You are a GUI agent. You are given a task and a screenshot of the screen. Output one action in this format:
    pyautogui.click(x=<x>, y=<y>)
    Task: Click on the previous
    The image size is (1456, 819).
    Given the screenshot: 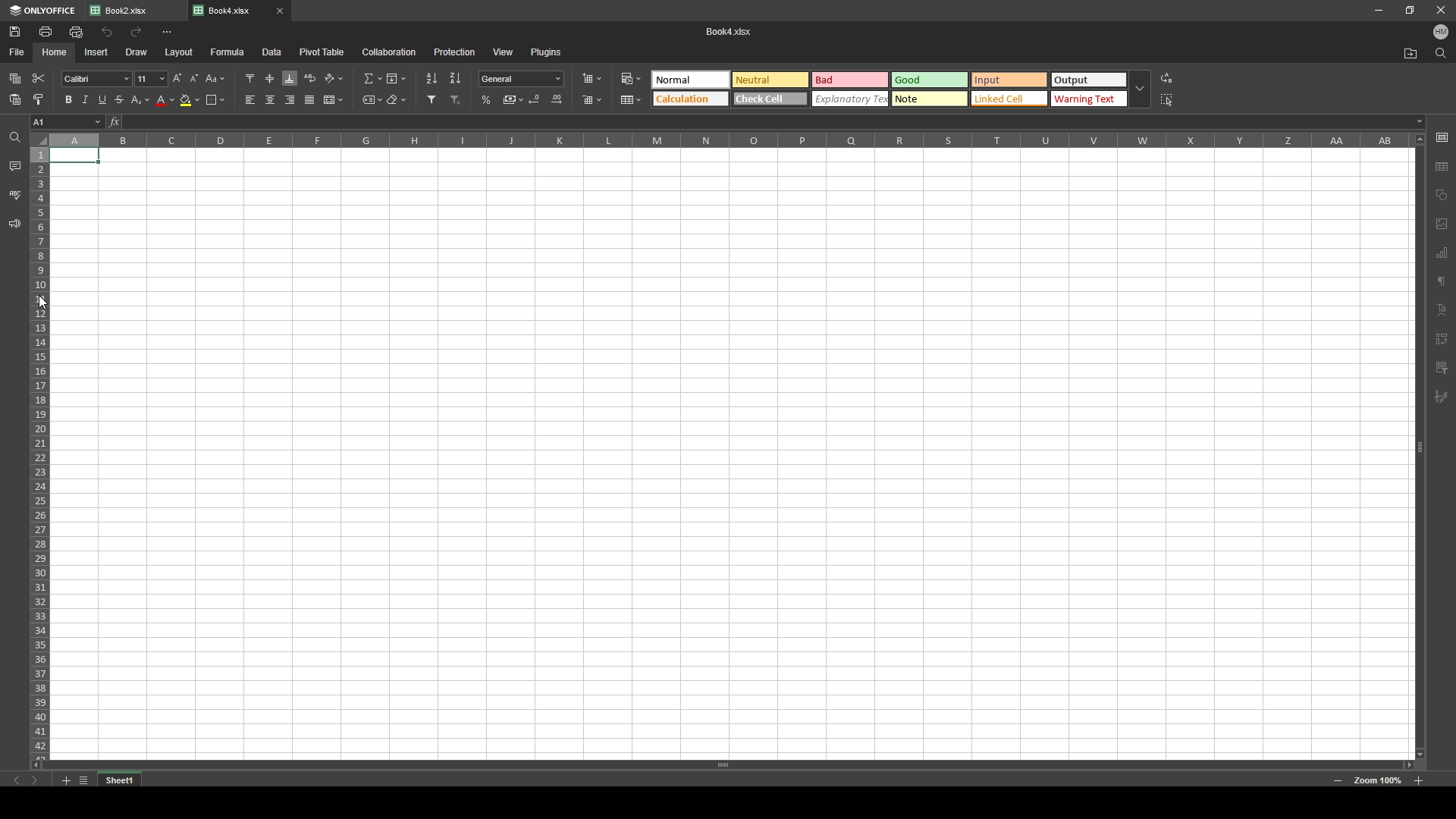 What is the action you would take?
    pyautogui.click(x=17, y=781)
    